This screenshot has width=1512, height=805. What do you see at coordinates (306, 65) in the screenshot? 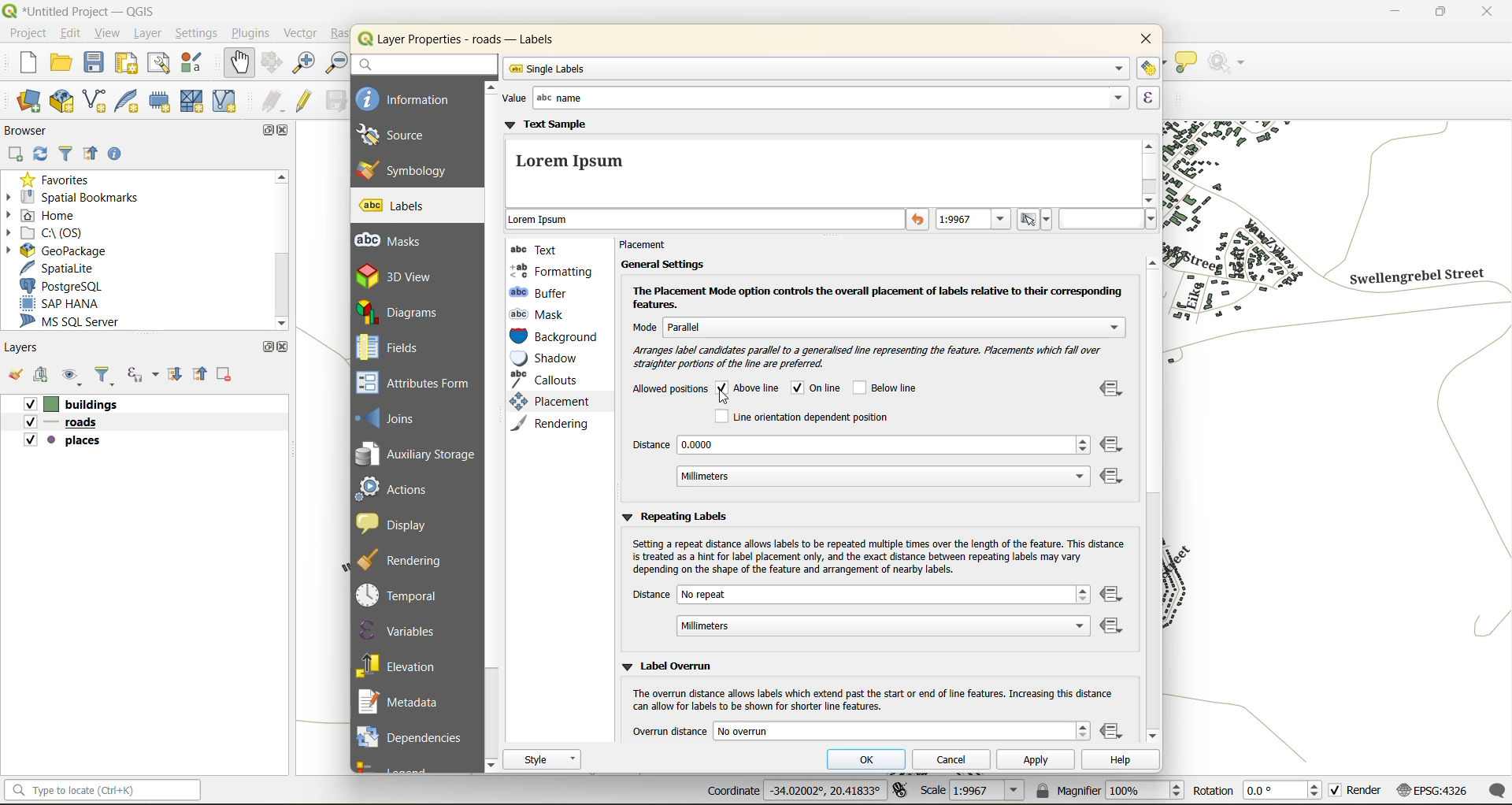
I see `zoom in` at bounding box center [306, 65].